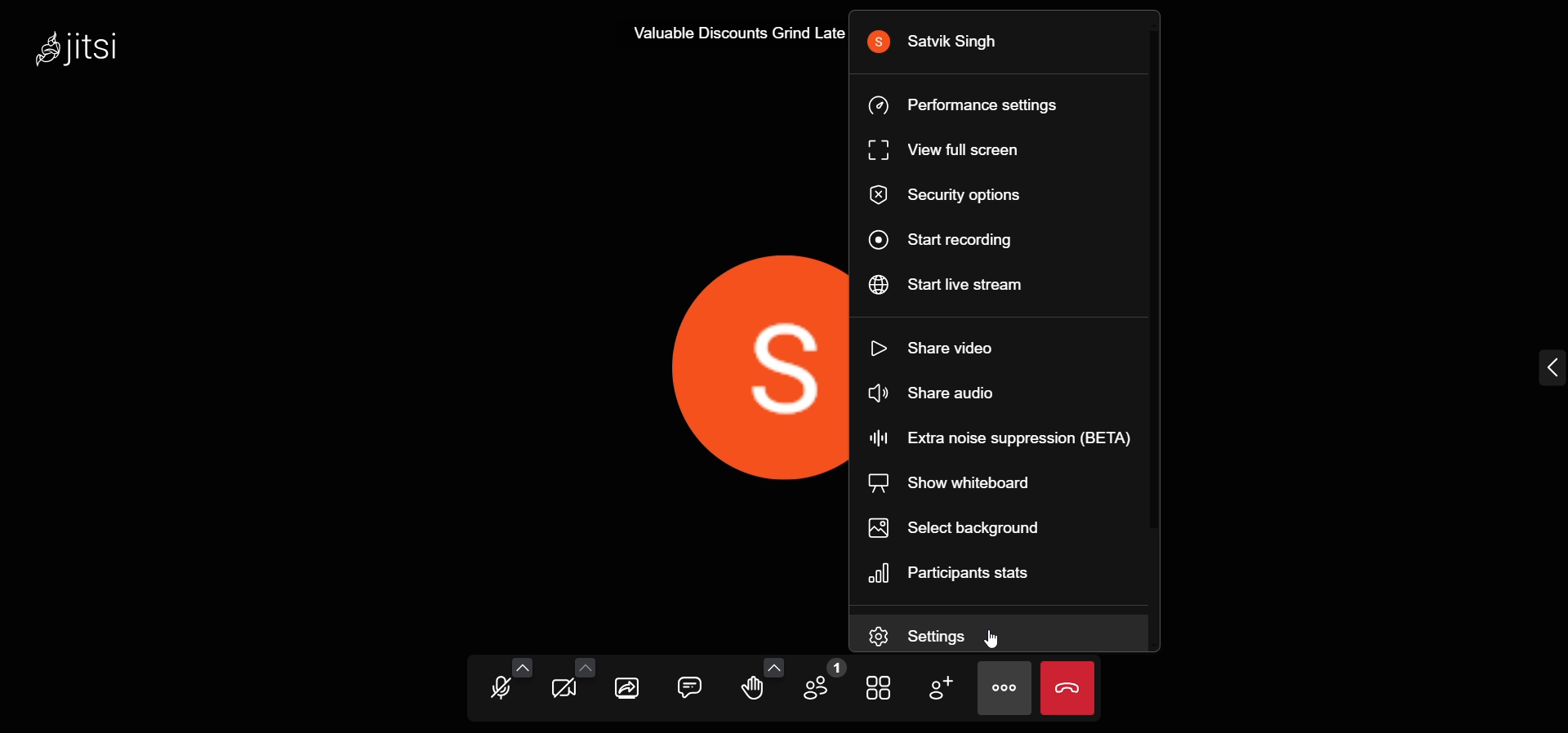 The height and width of the screenshot is (733, 1568). I want to click on video, so click(563, 688).